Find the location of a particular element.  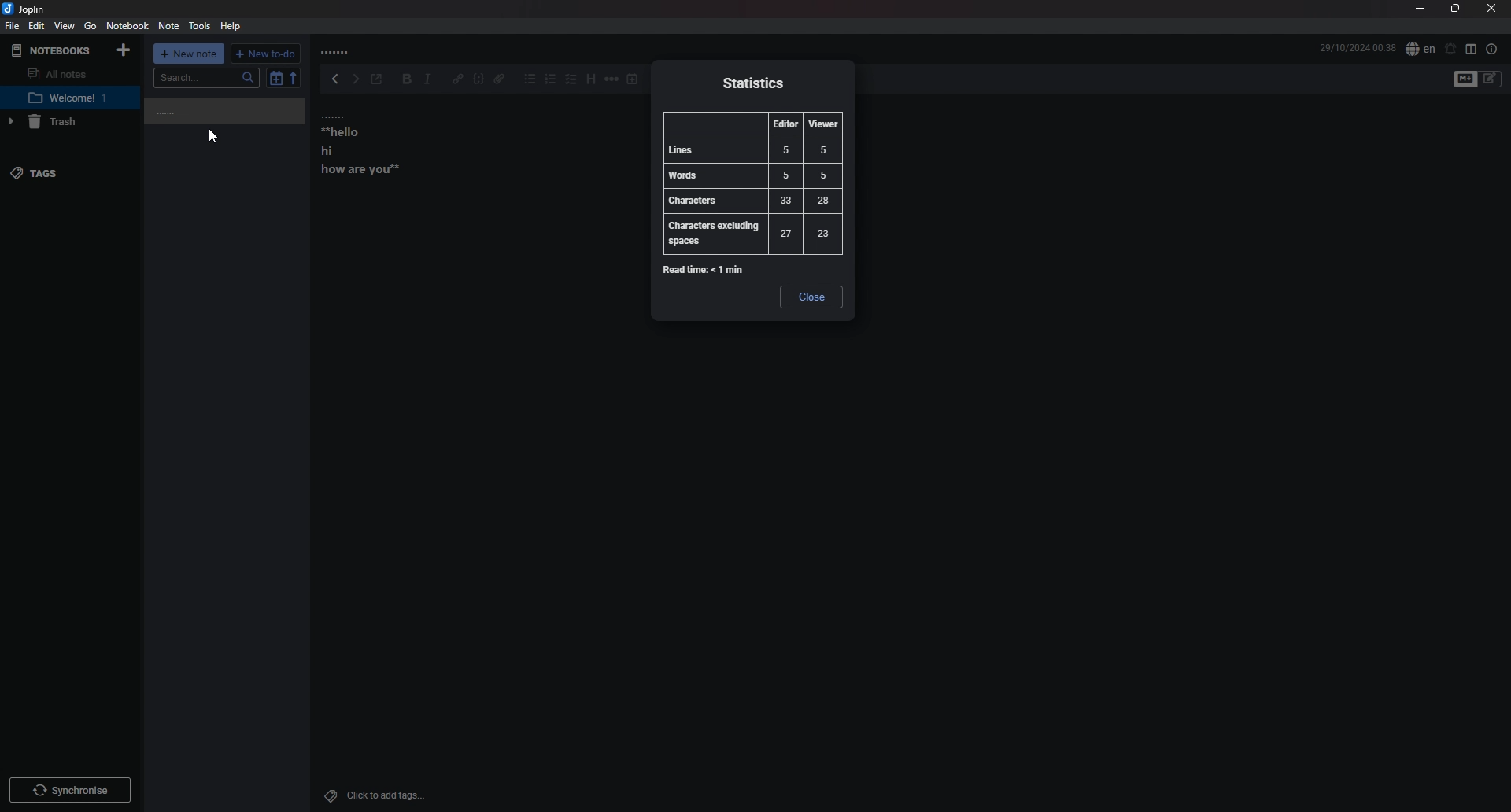

add tags is located at coordinates (379, 795).